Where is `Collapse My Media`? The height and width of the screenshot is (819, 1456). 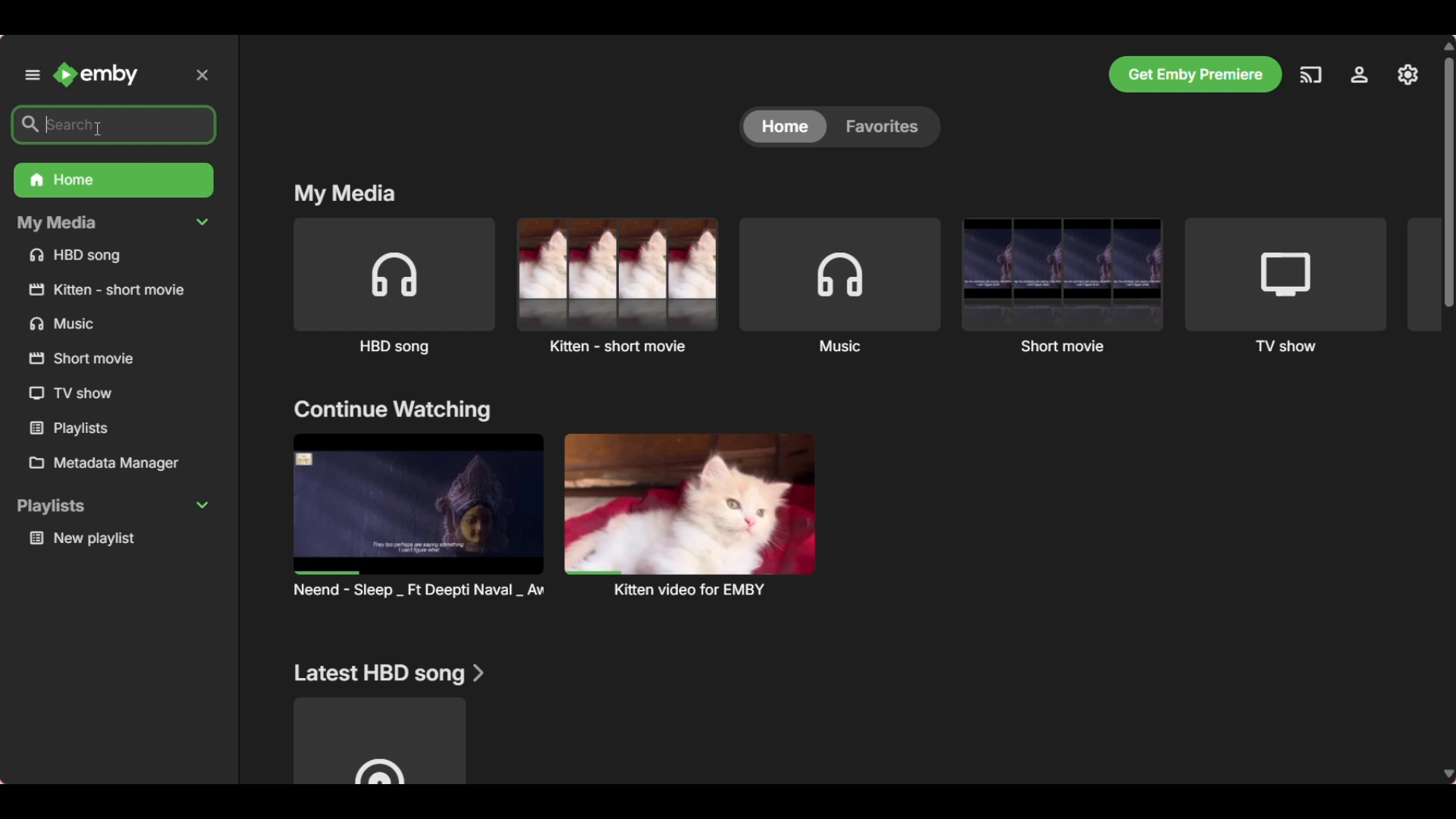 Collapse My Media is located at coordinates (111, 222).